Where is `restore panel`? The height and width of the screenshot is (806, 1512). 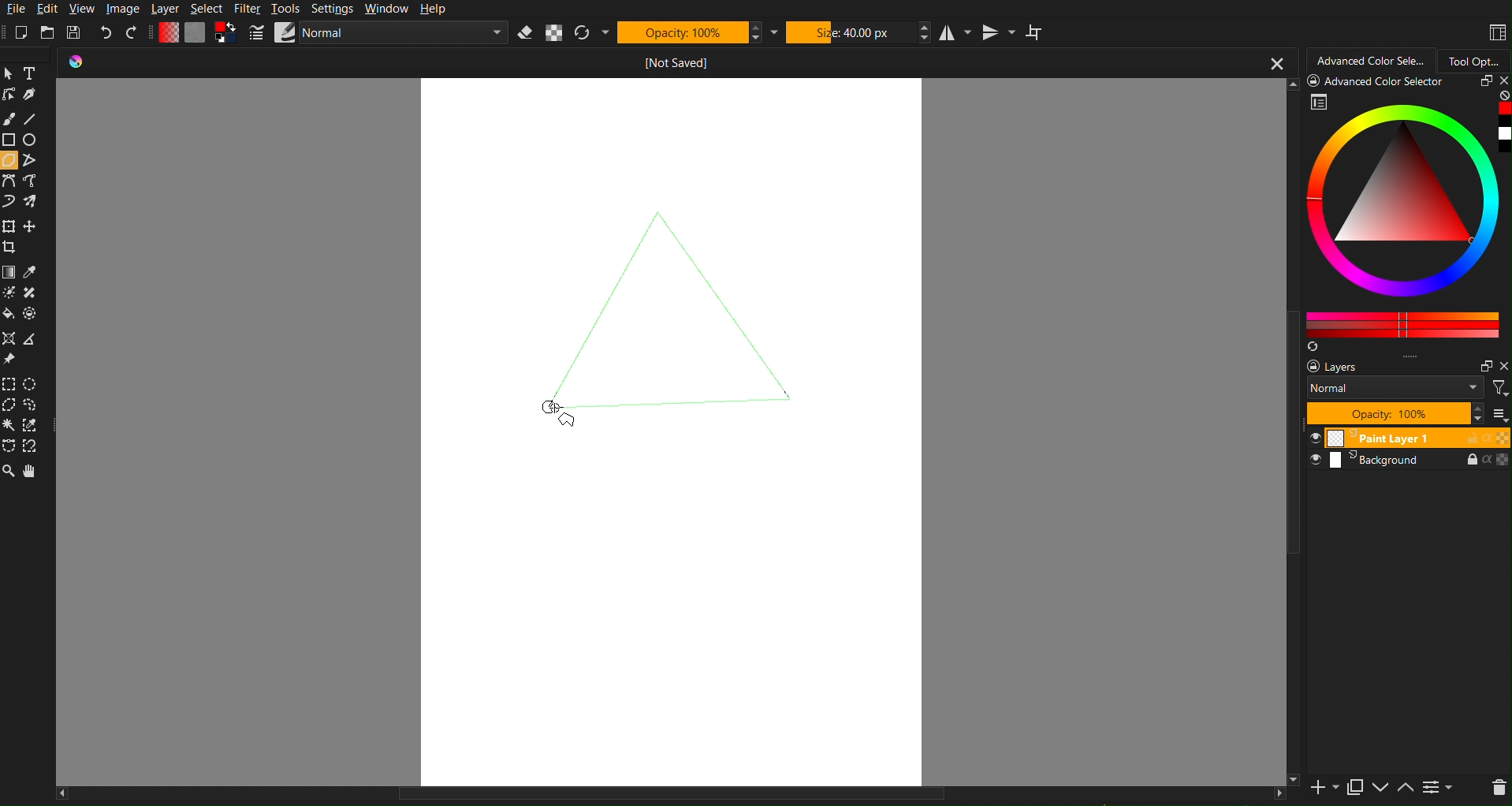
restore panel is located at coordinates (1484, 366).